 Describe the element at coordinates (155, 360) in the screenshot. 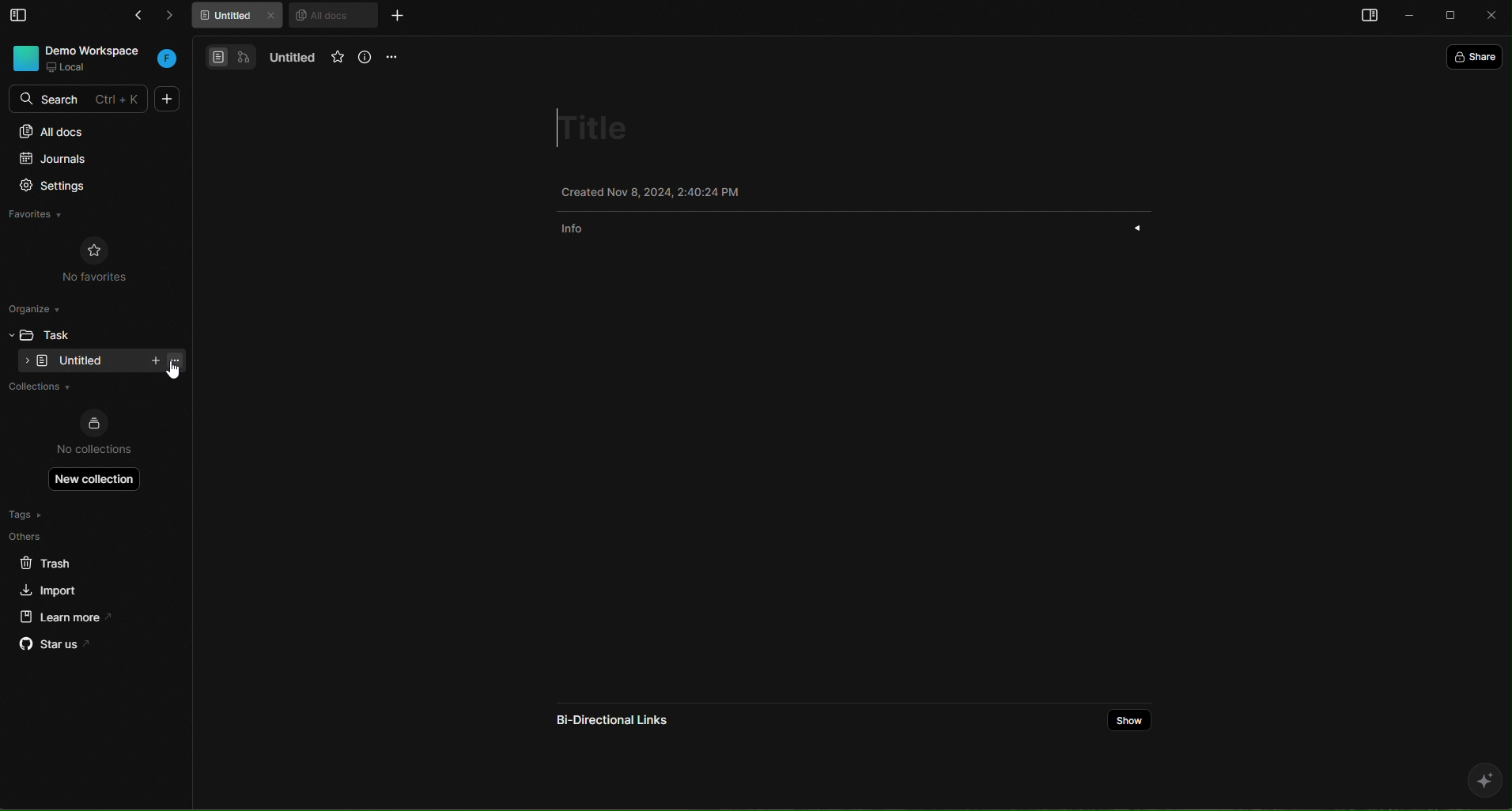

I see `new task` at that location.